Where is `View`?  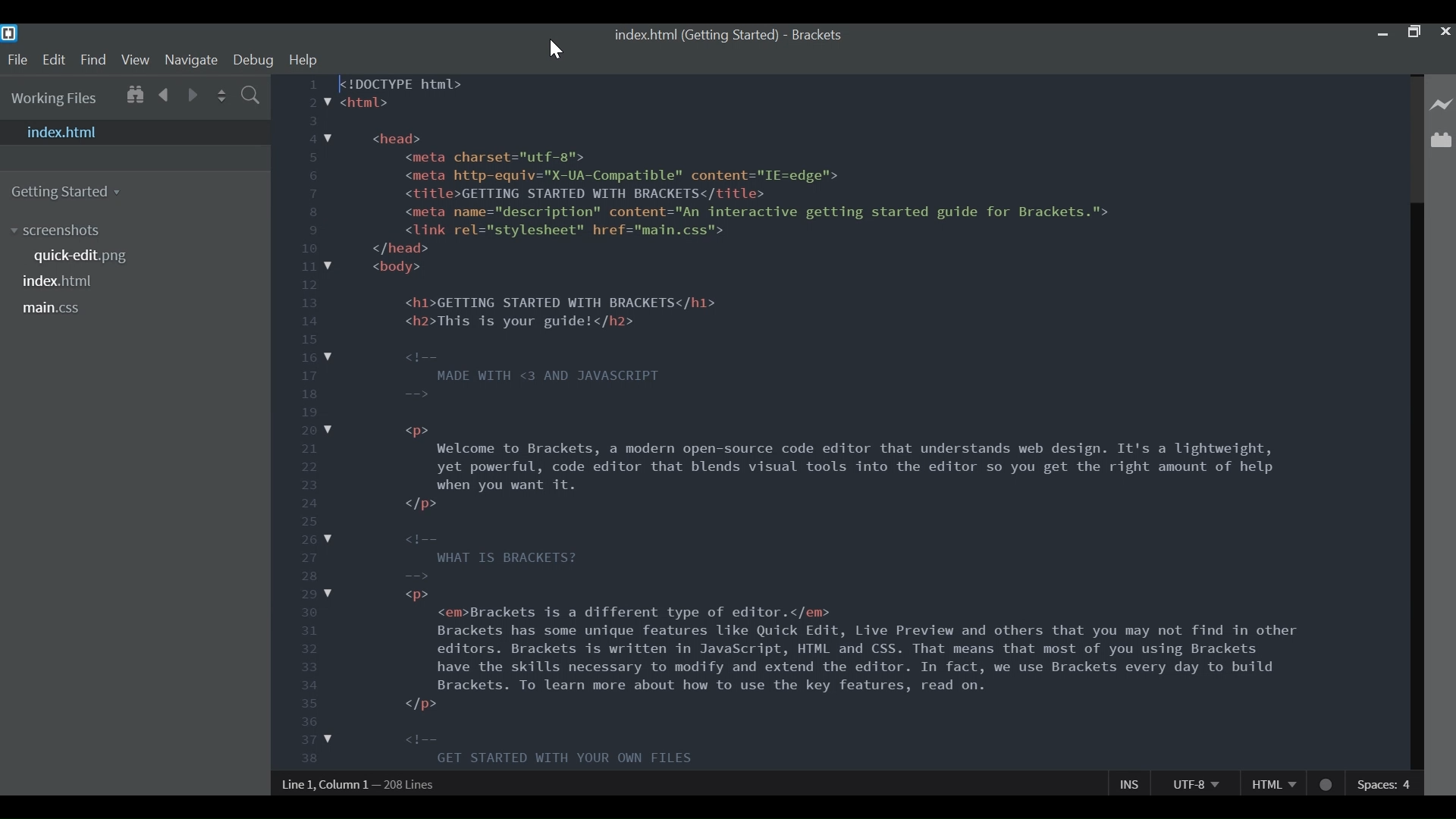
View is located at coordinates (136, 60).